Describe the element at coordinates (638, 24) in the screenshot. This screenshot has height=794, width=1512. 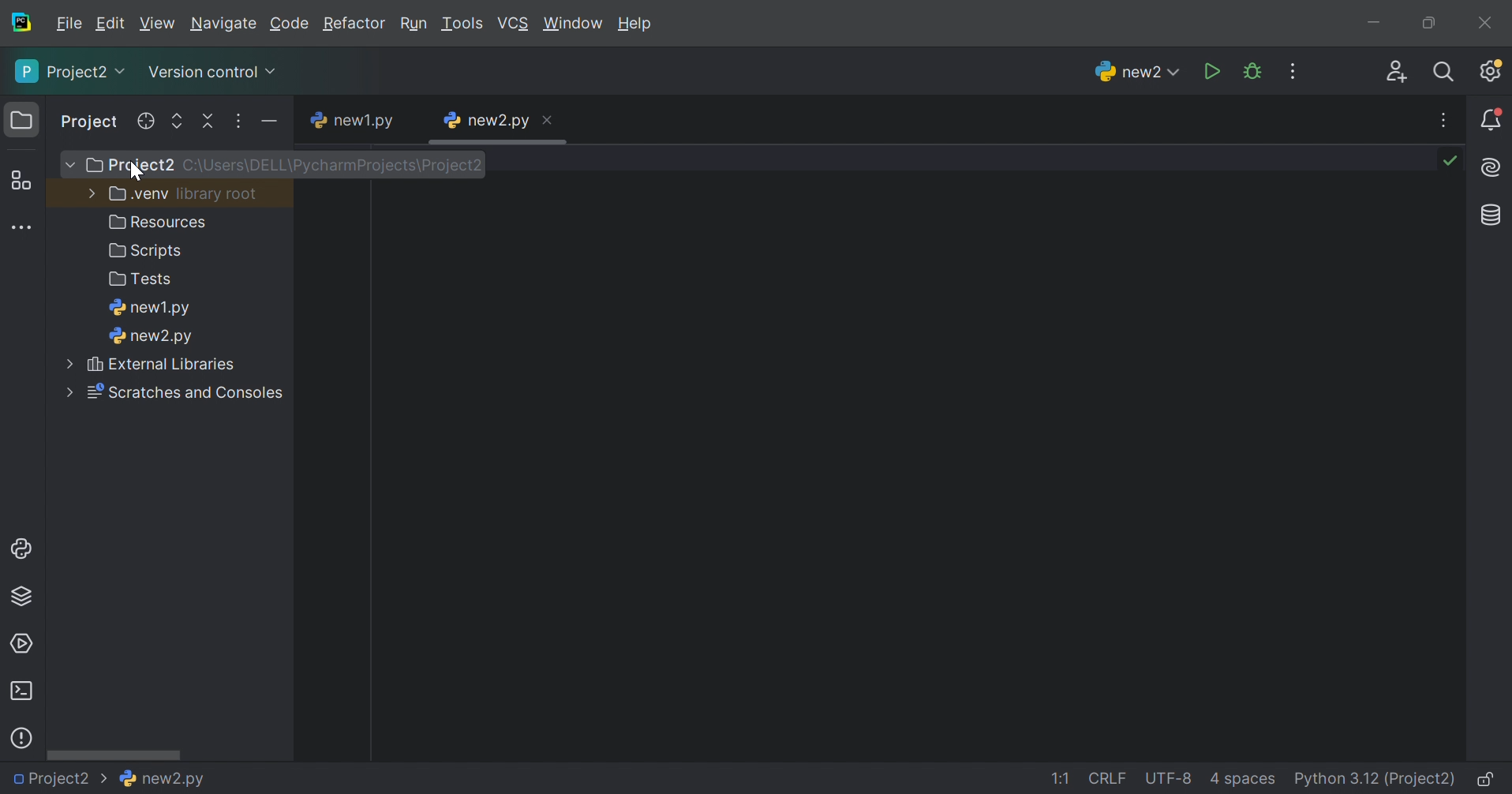
I see `Help` at that location.